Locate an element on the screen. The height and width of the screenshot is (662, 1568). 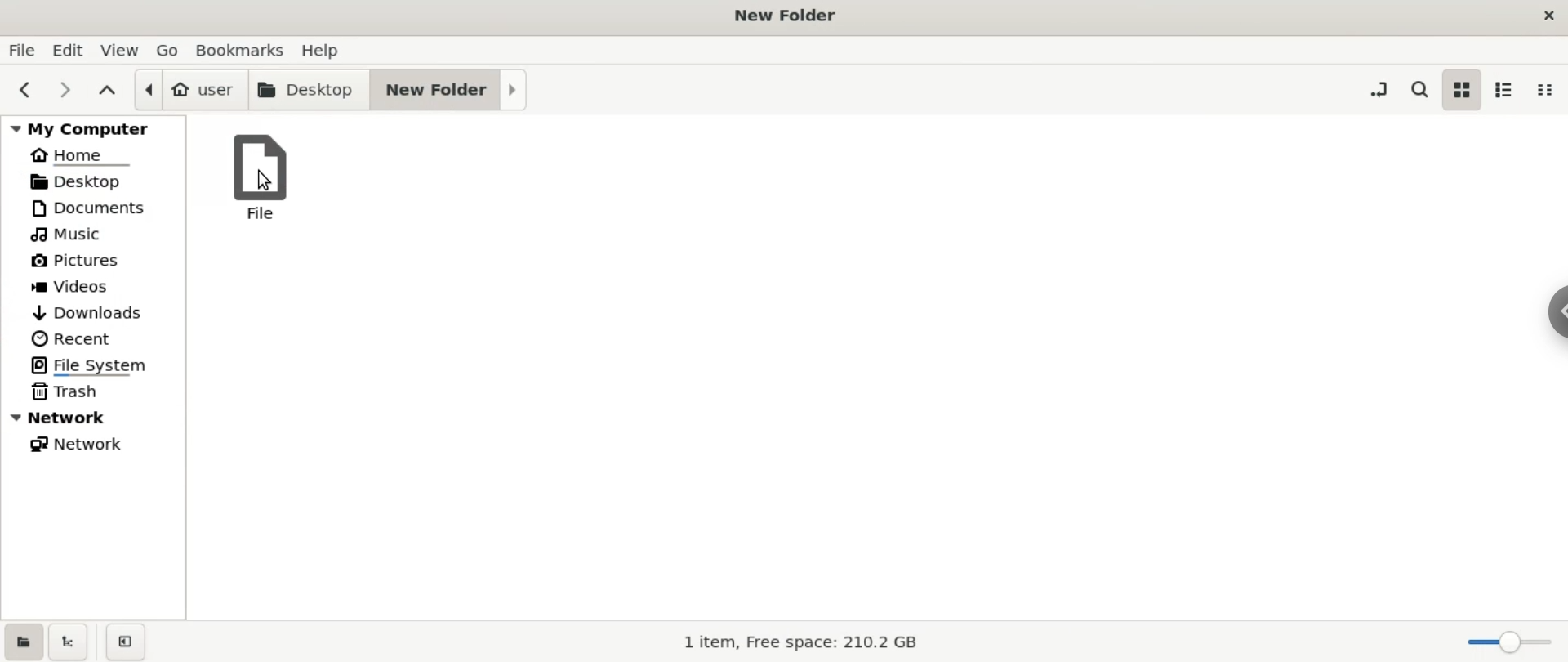
icon view  is located at coordinates (1459, 90).